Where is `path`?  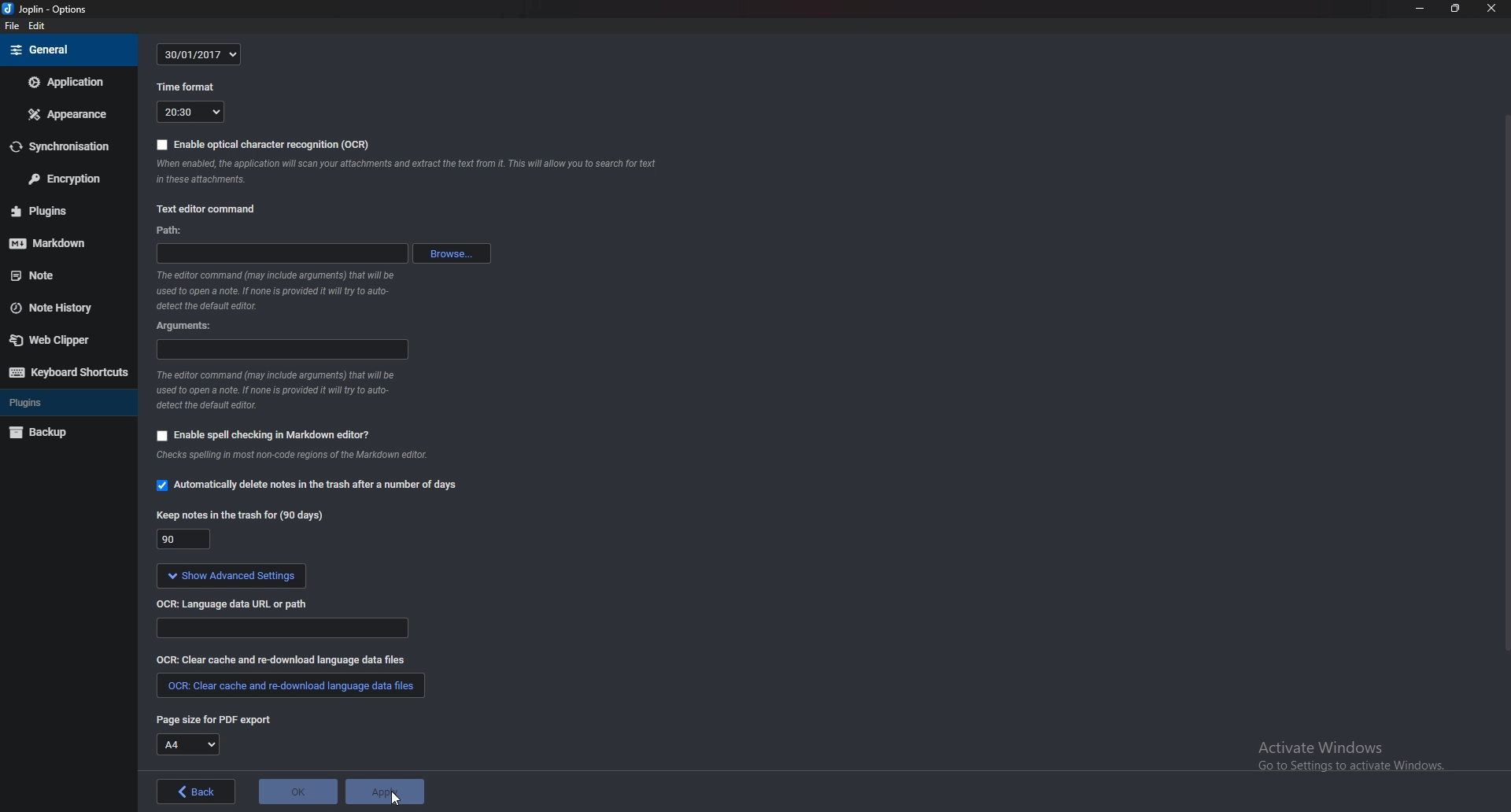 path is located at coordinates (289, 630).